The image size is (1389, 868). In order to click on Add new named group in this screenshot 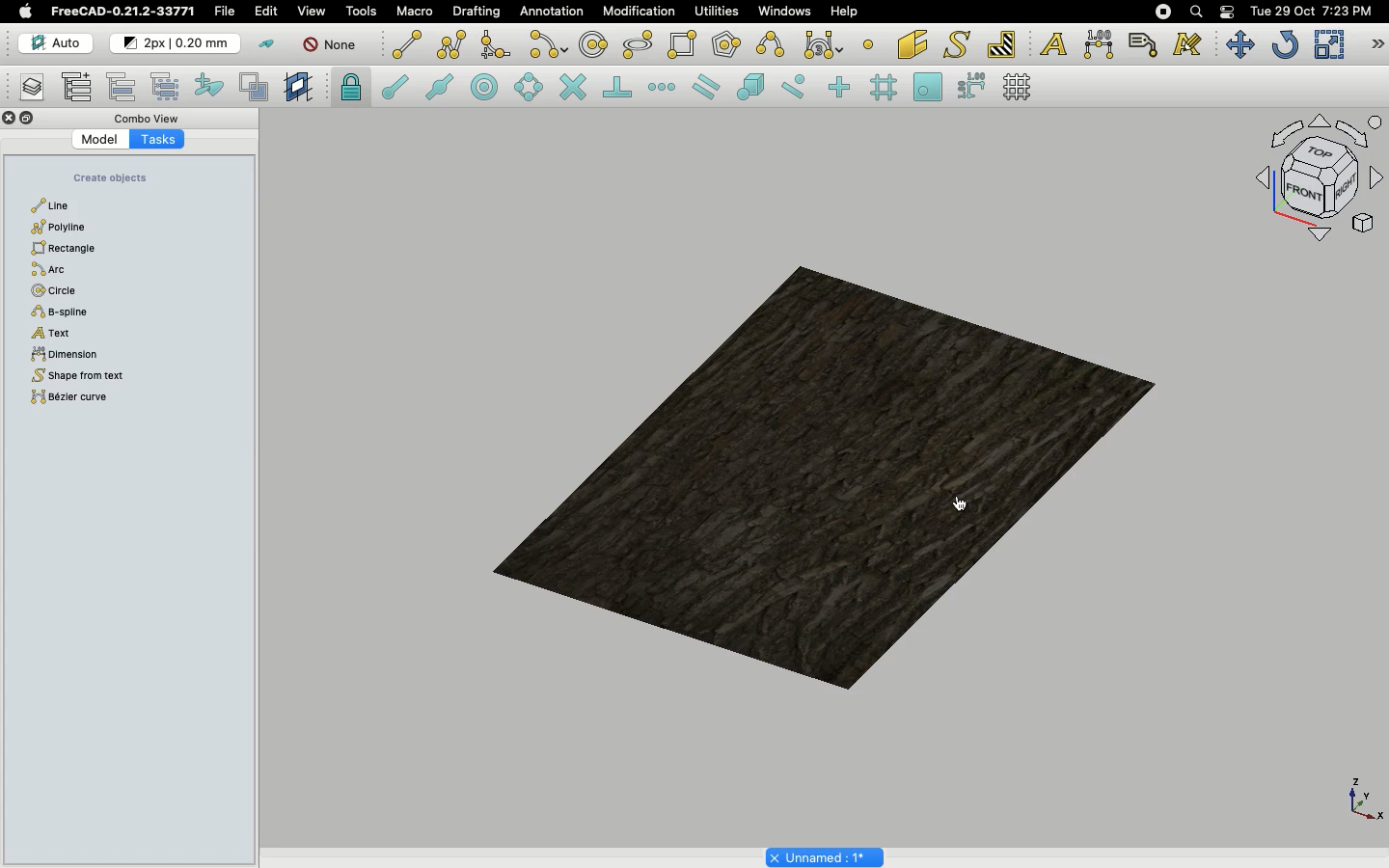, I will do `click(78, 86)`.